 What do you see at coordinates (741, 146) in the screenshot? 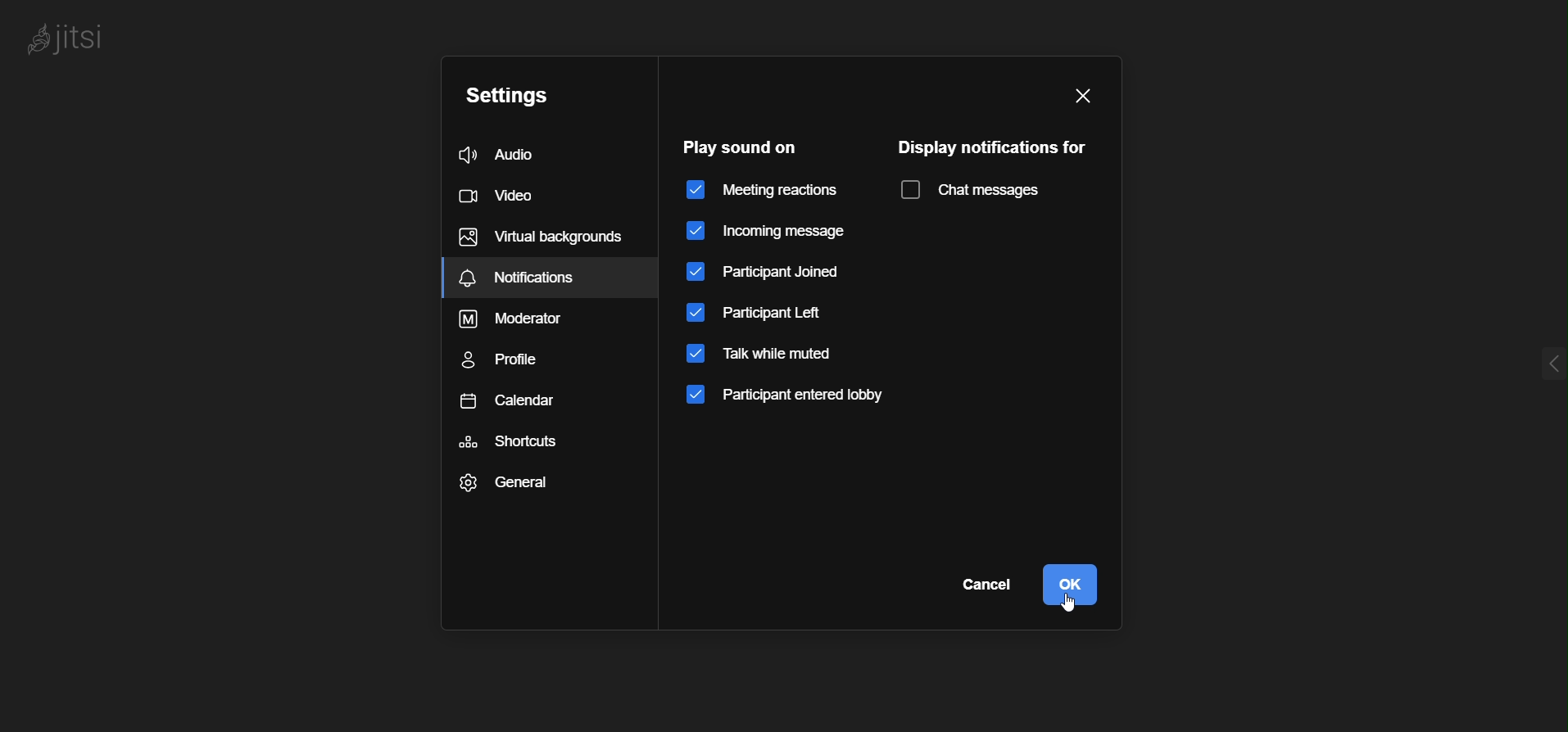
I see `play sound on` at bounding box center [741, 146].